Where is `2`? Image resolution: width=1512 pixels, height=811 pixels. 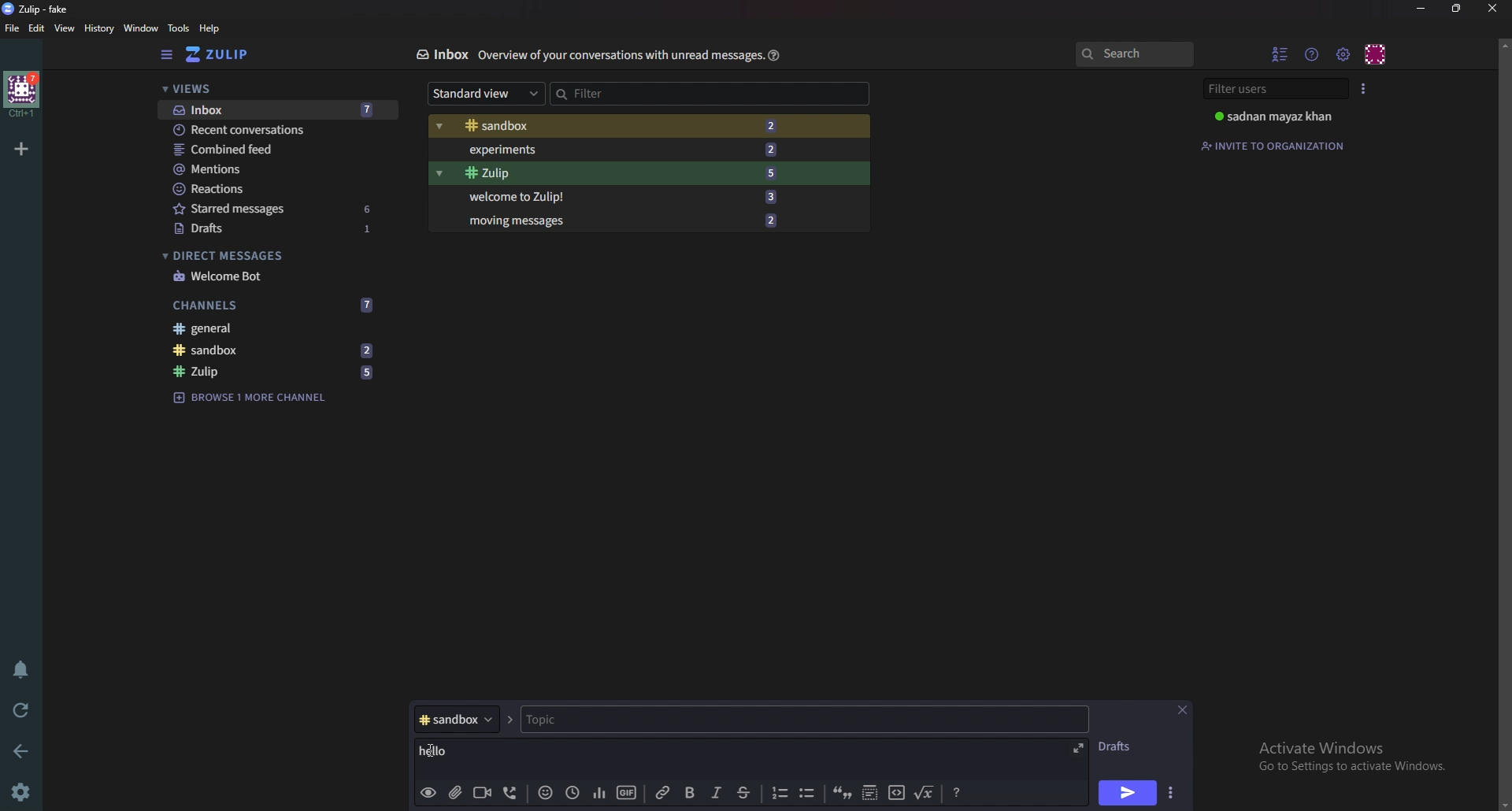 2 is located at coordinates (774, 220).